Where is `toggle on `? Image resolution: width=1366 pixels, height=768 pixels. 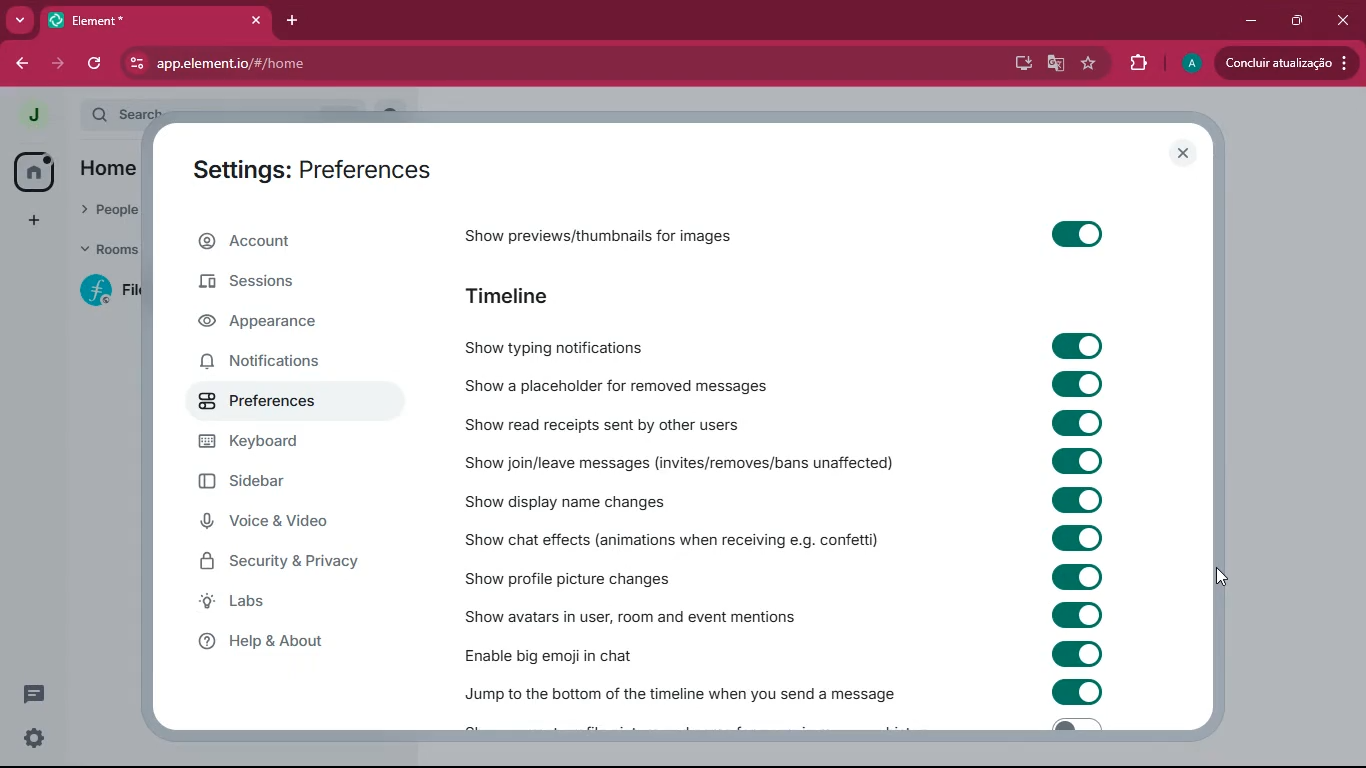
toggle on  is located at coordinates (1074, 238).